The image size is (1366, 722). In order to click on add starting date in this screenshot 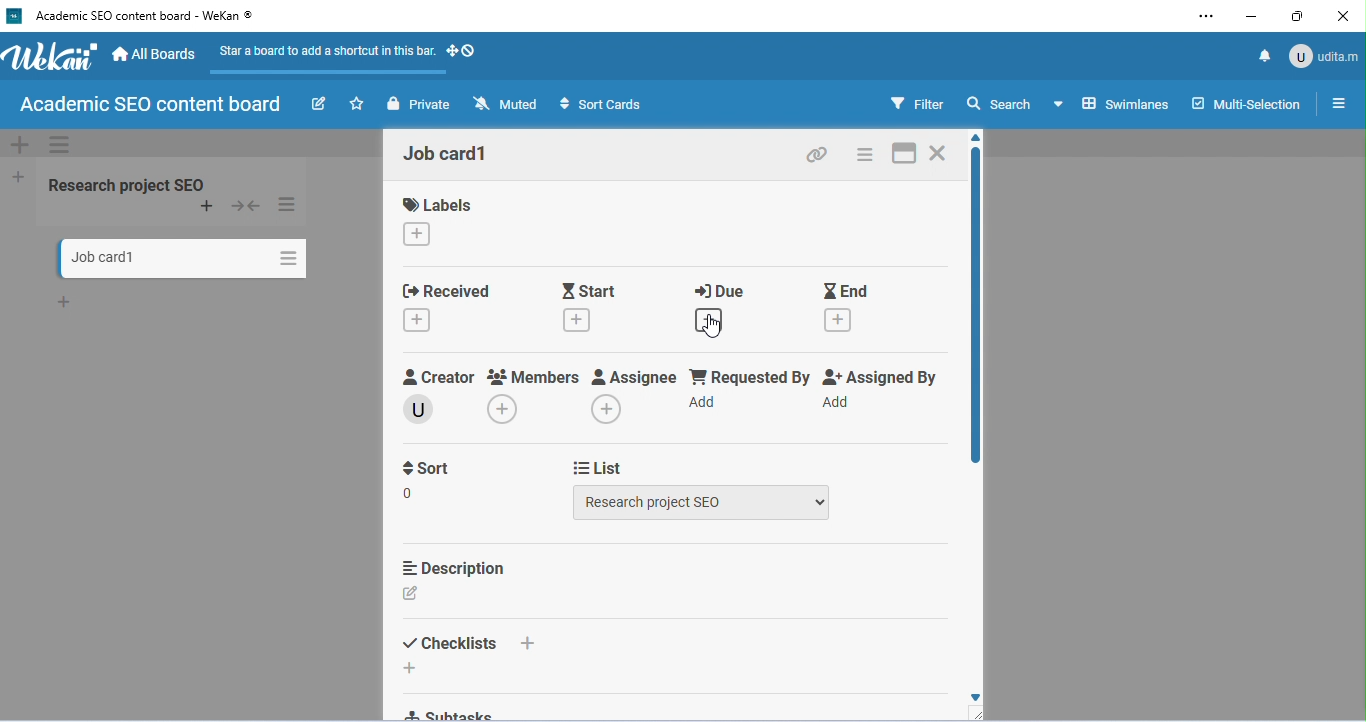, I will do `click(581, 321)`.